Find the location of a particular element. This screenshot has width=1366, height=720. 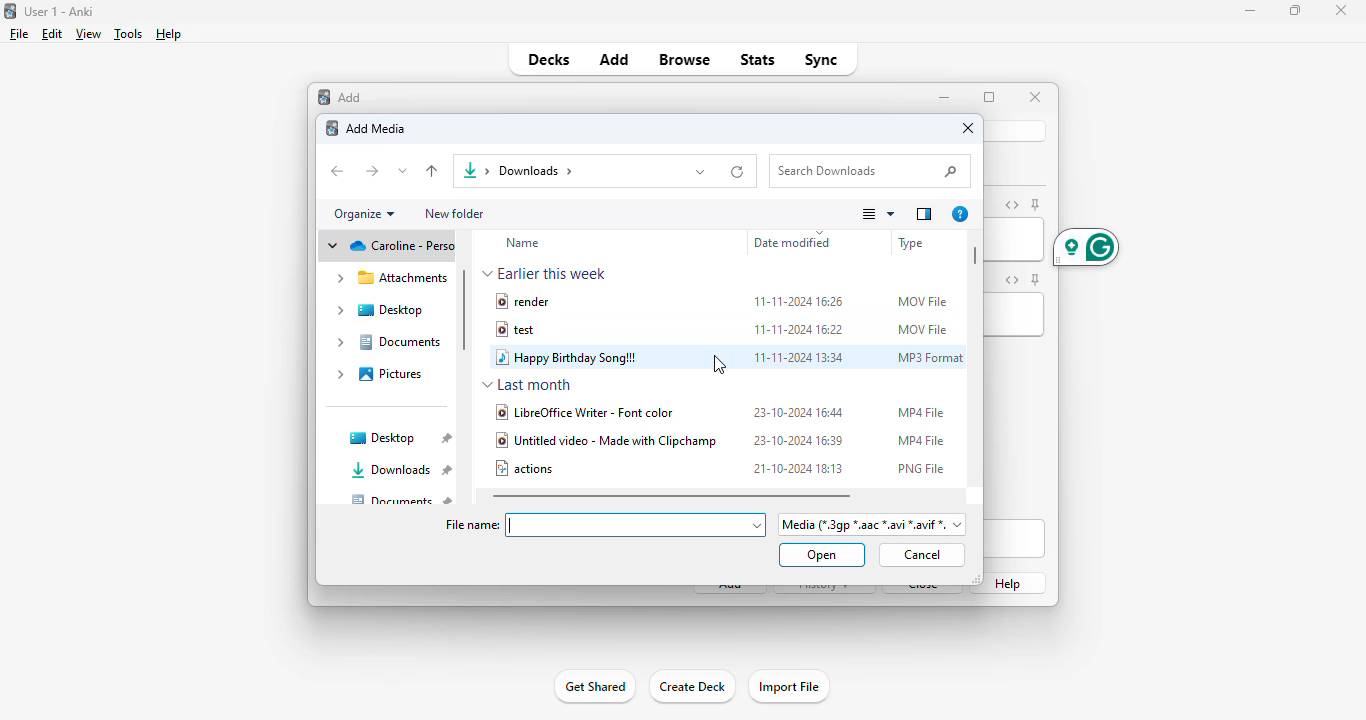

close is located at coordinates (969, 129).